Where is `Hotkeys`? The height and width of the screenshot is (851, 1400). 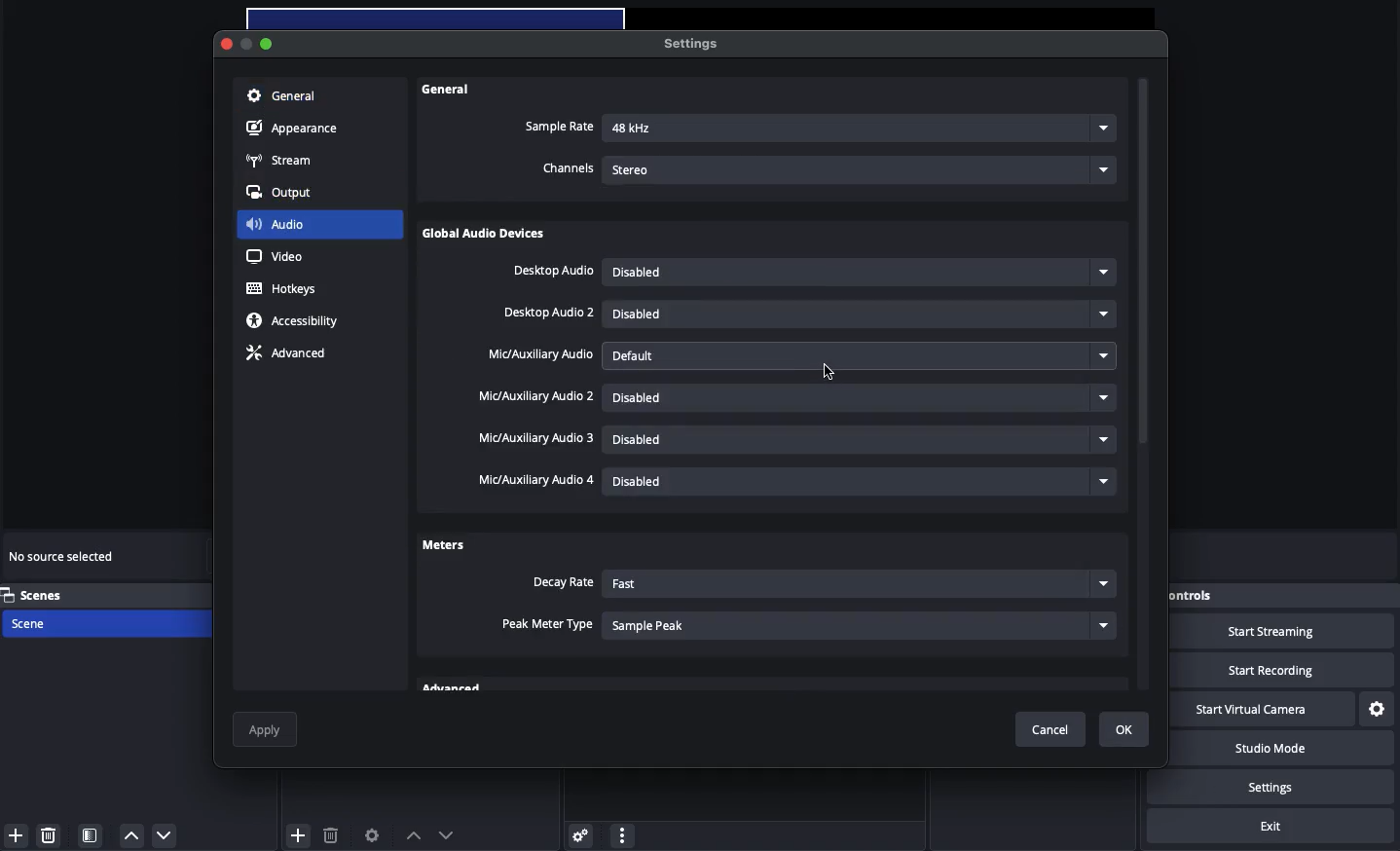
Hotkeys is located at coordinates (285, 289).